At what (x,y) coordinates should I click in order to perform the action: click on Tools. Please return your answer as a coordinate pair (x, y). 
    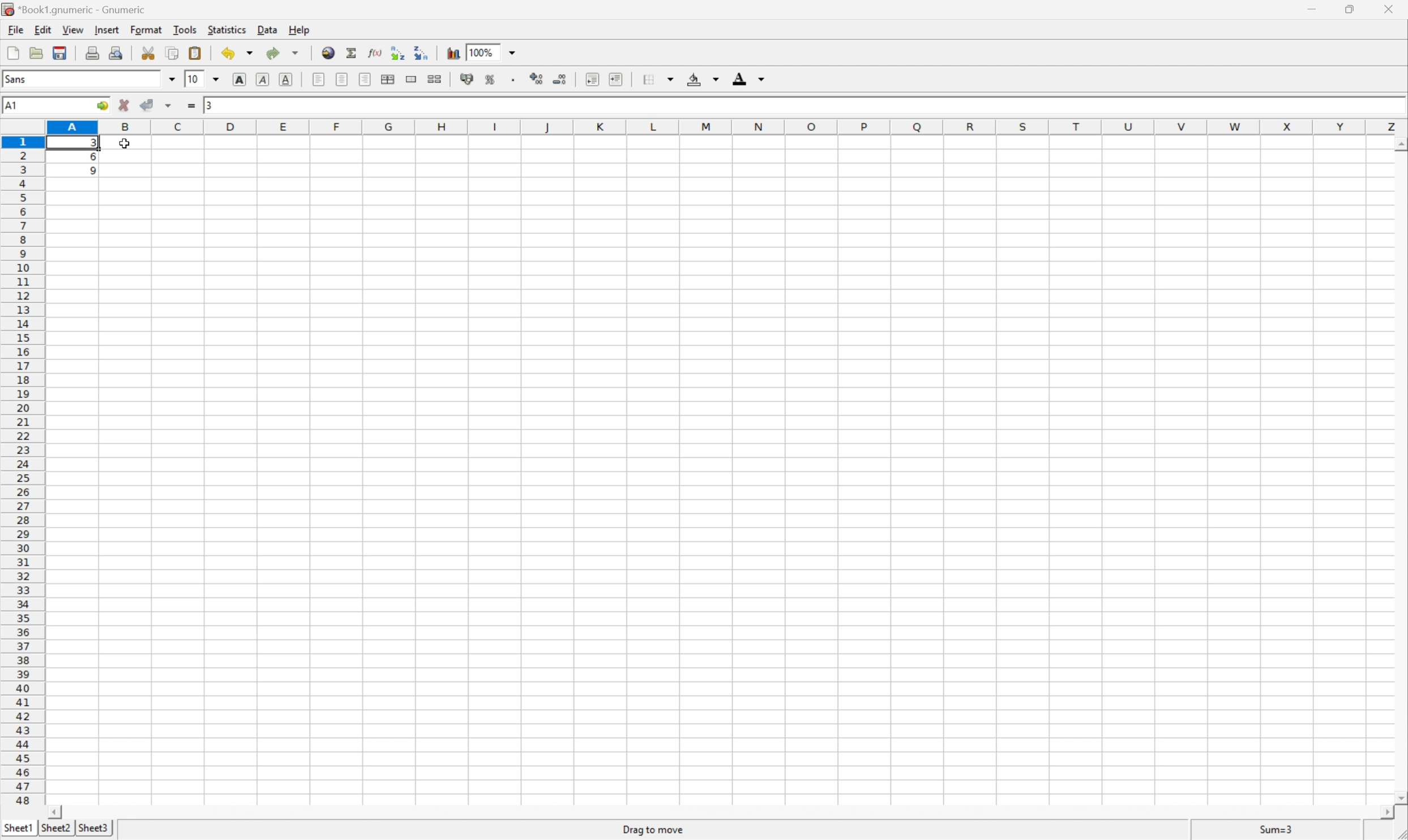
    Looking at the image, I should click on (185, 28).